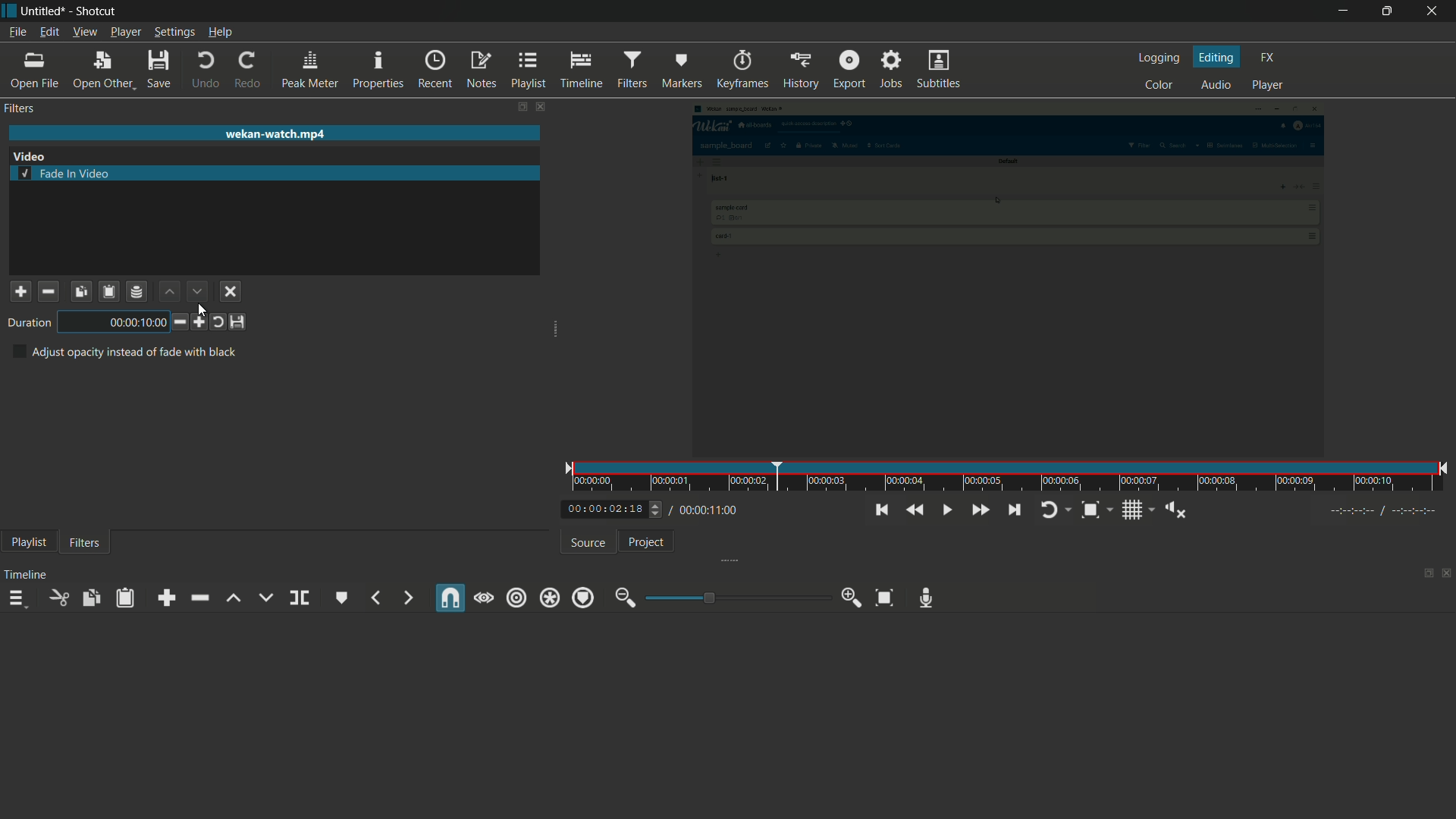 This screenshot has height=819, width=1456. Describe the element at coordinates (30, 156) in the screenshot. I see `video` at that location.